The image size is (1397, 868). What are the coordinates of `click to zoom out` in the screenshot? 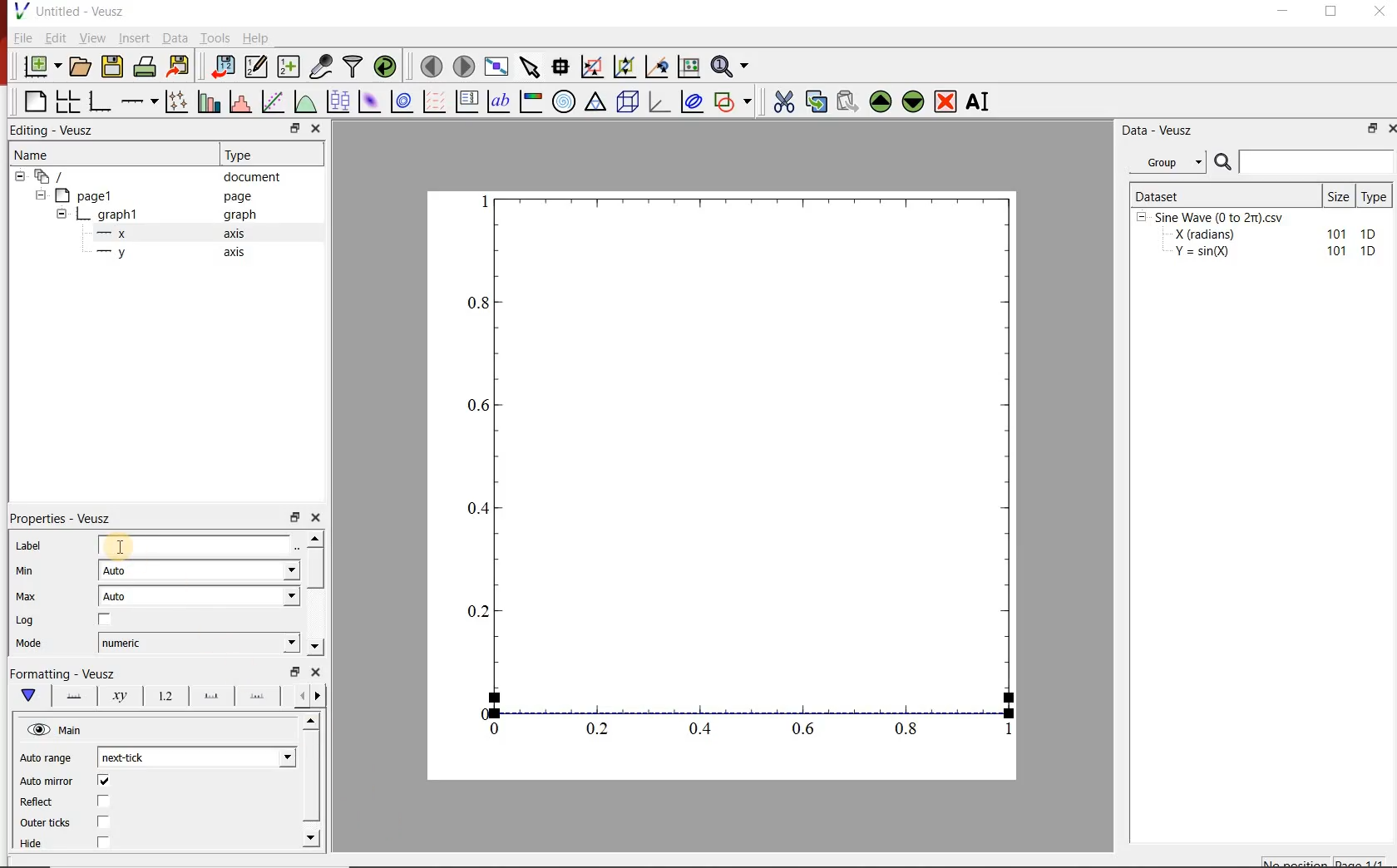 It's located at (627, 65).